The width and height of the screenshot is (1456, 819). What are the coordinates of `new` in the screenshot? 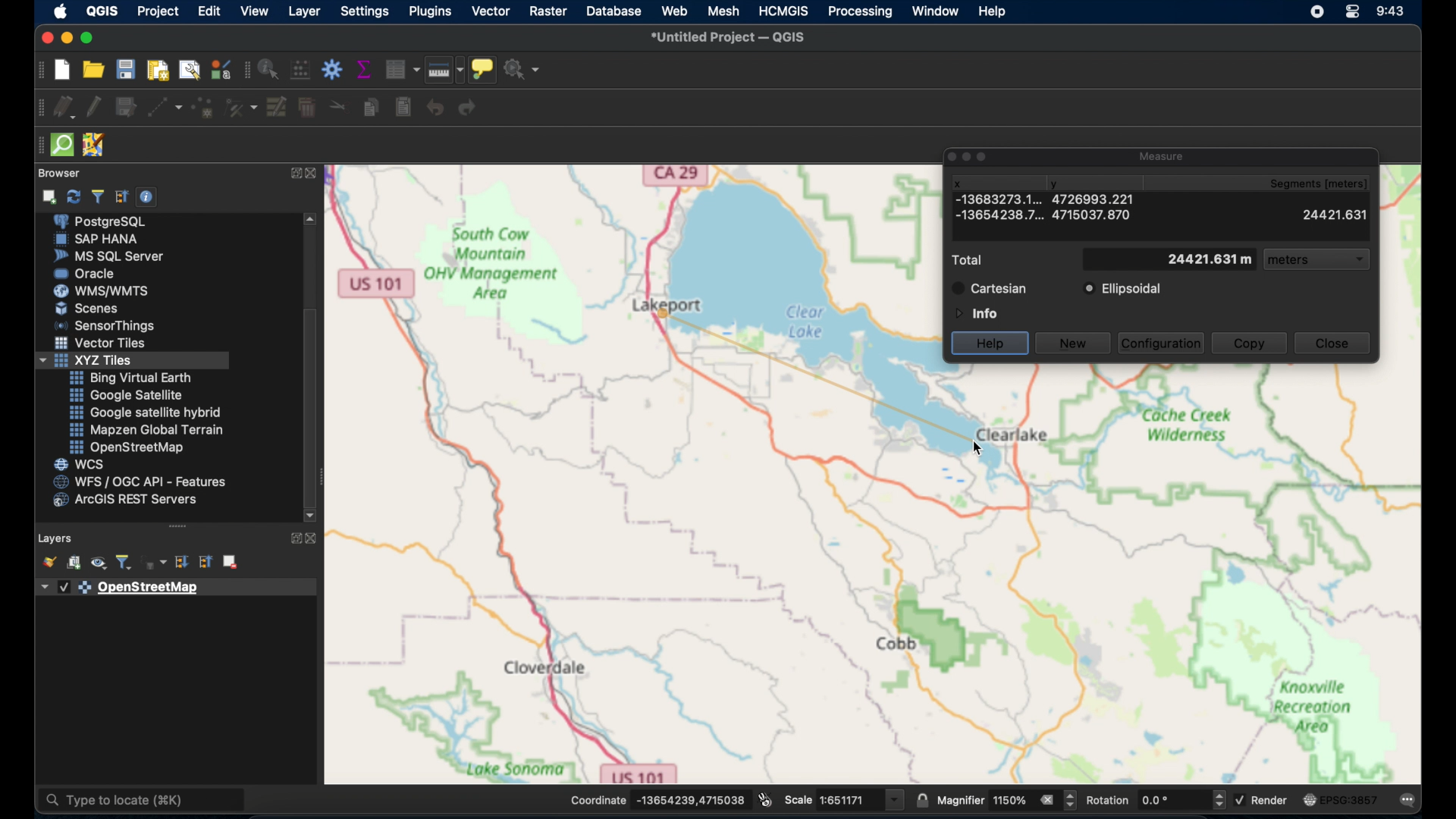 It's located at (1073, 344).